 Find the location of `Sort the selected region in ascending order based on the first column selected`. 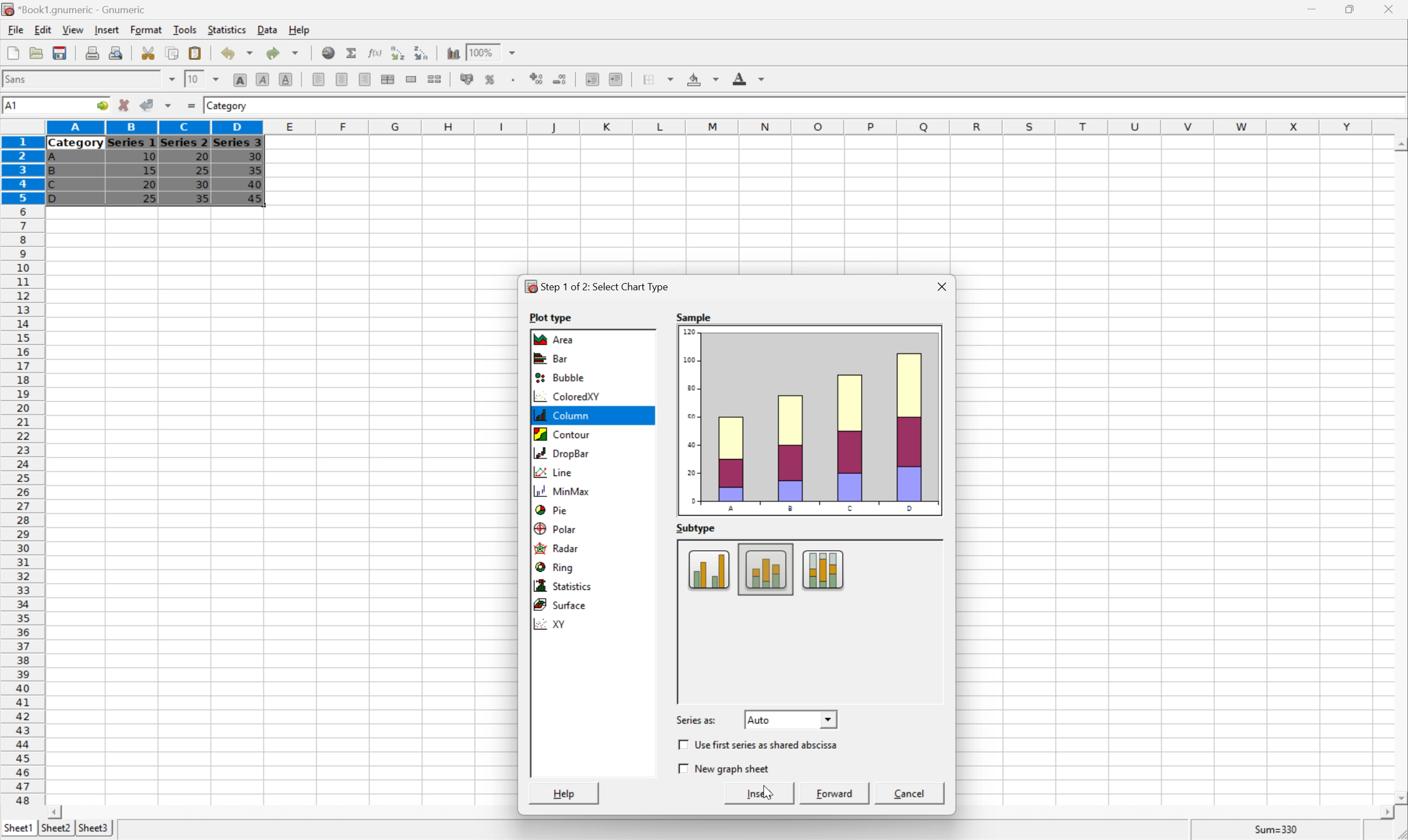

Sort the selected region in ascending order based on the first column selected is located at coordinates (397, 53).